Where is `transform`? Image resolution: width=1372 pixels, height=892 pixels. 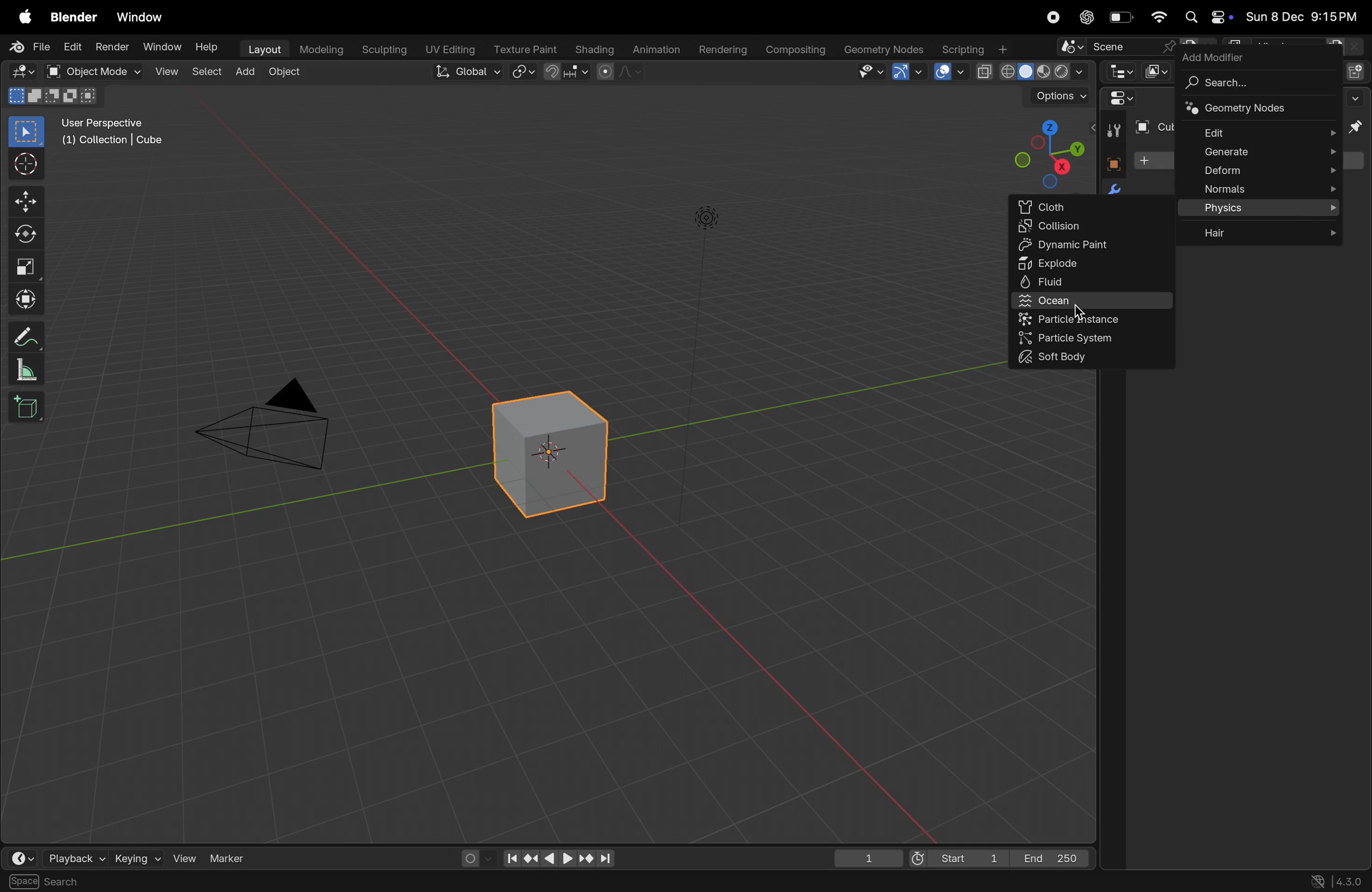 transform is located at coordinates (26, 298).